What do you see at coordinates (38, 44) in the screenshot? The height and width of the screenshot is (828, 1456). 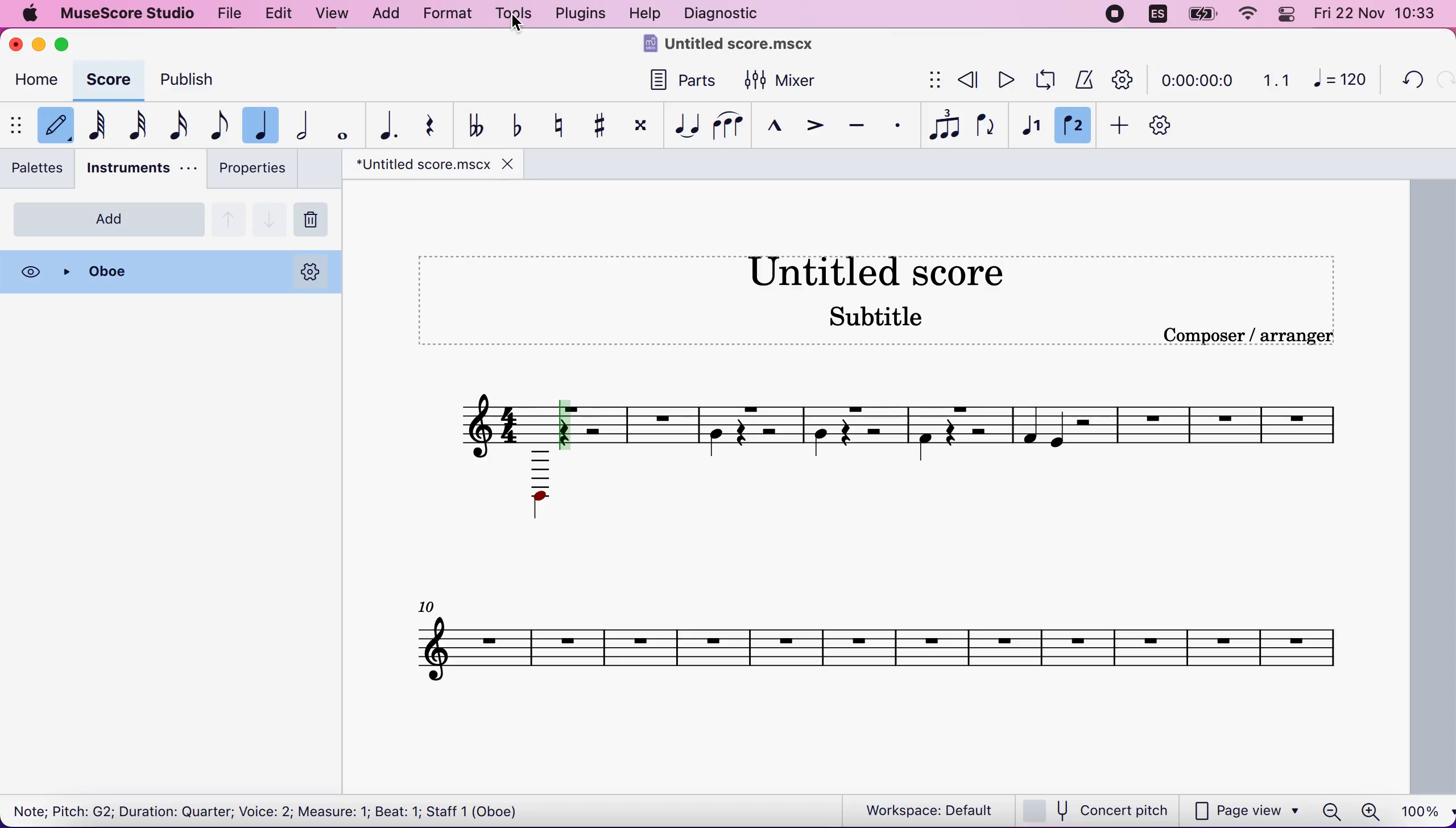 I see `minimize` at bounding box center [38, 44].